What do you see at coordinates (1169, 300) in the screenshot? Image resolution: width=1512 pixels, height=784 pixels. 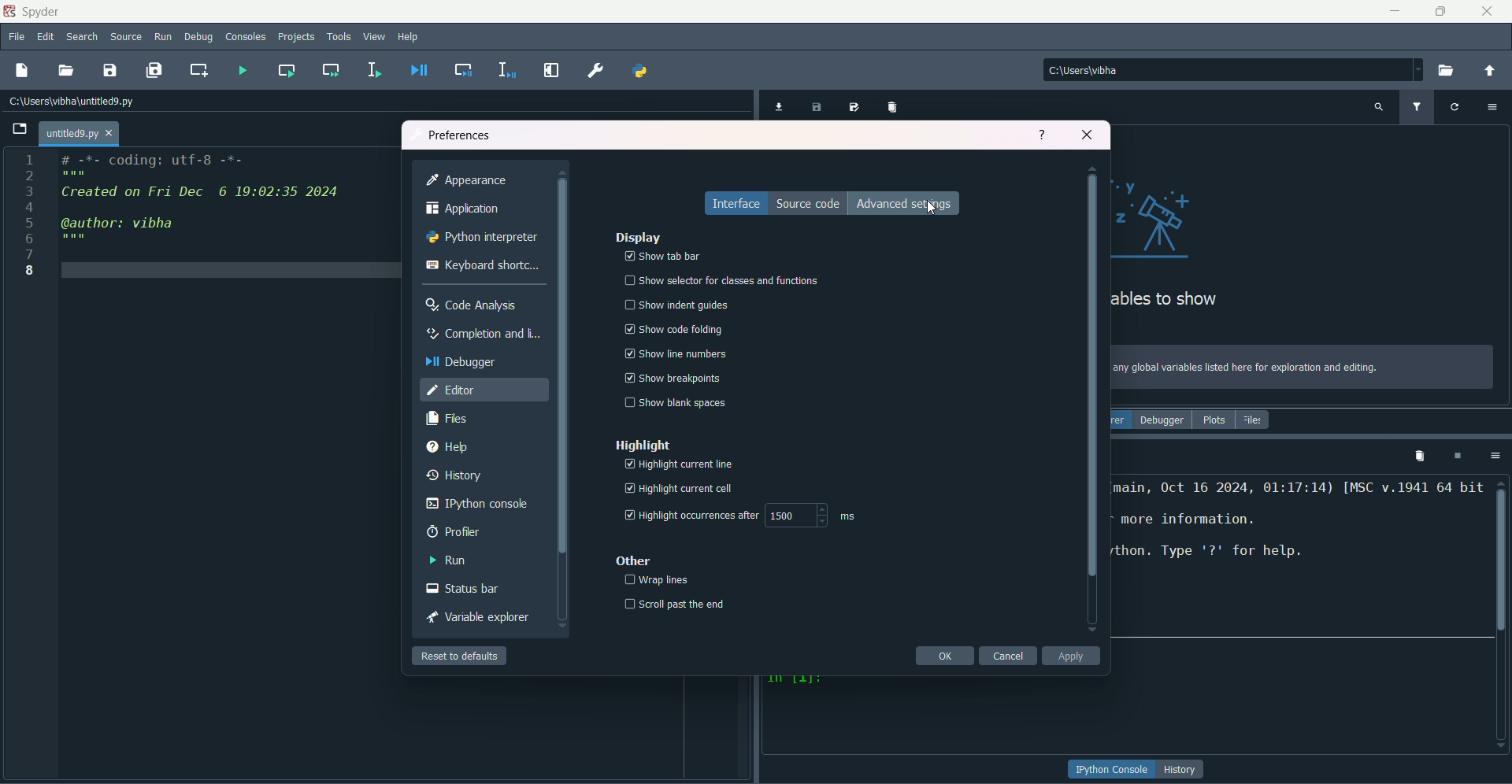 I see `text` at bounding box center [1169, 300].